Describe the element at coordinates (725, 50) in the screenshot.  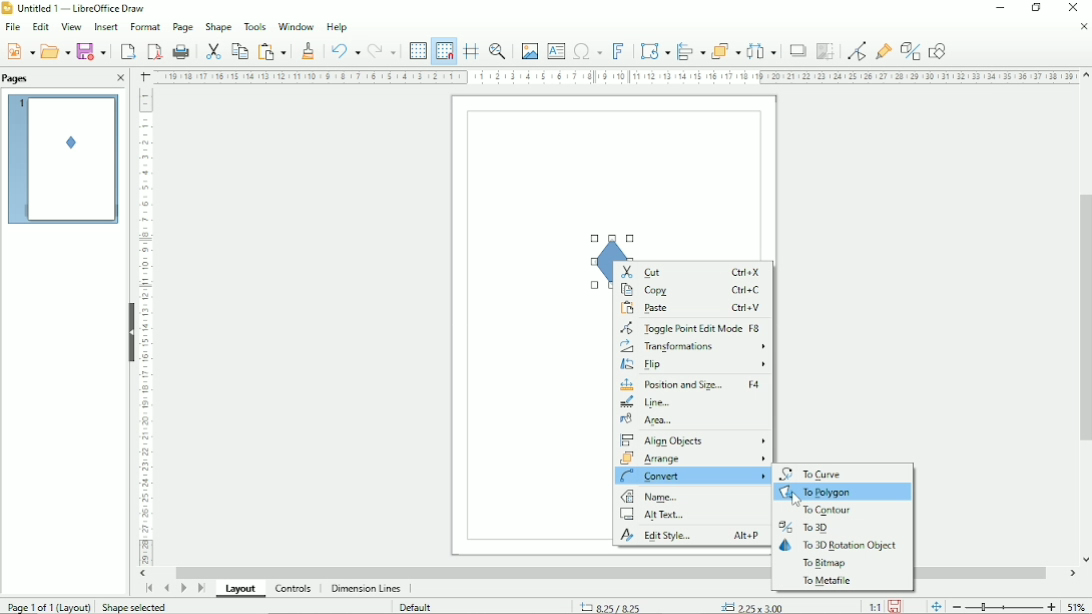
I see `Arrange` at that location.